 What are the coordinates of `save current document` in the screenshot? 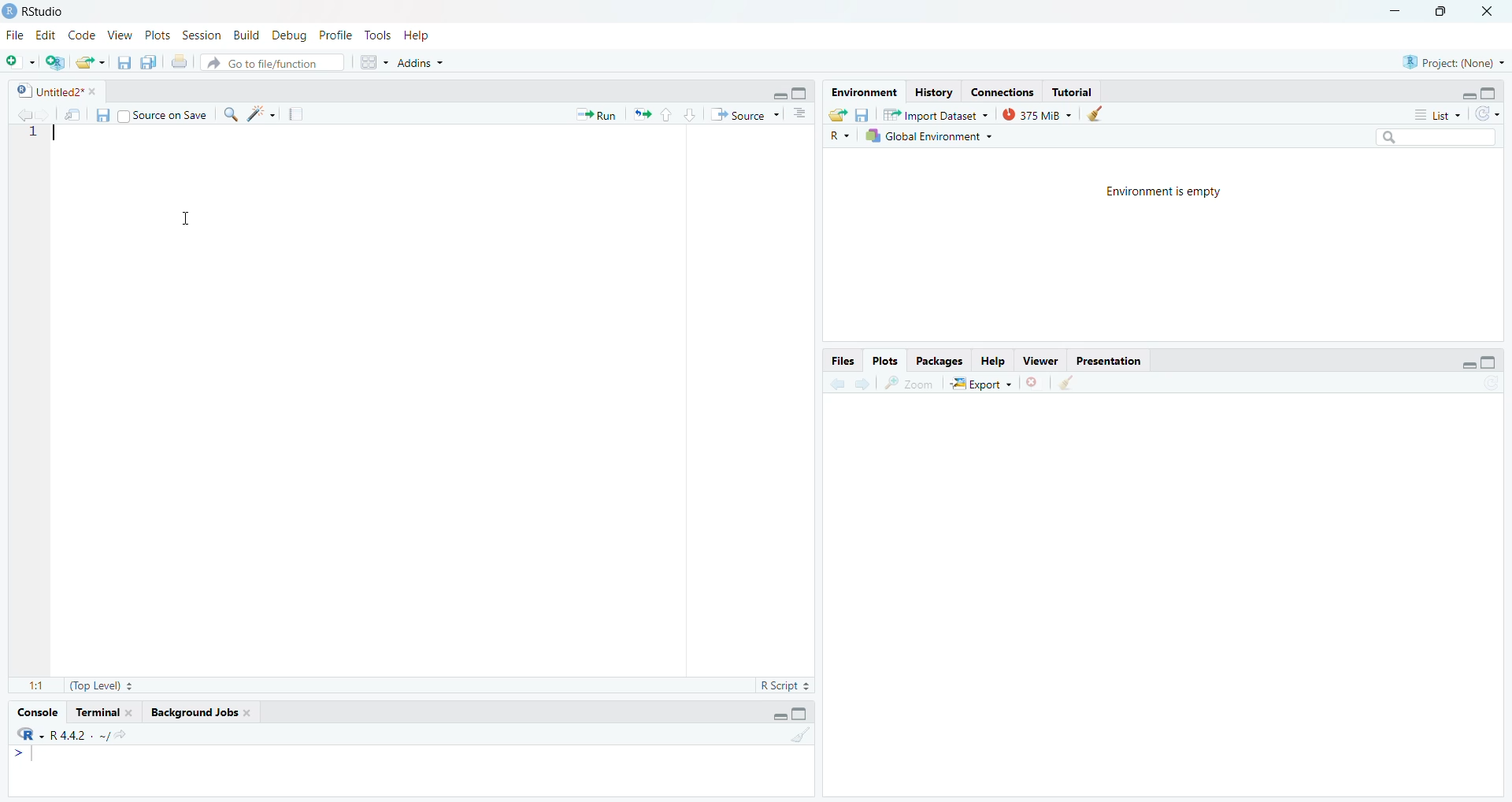 It's located at (124, 62).